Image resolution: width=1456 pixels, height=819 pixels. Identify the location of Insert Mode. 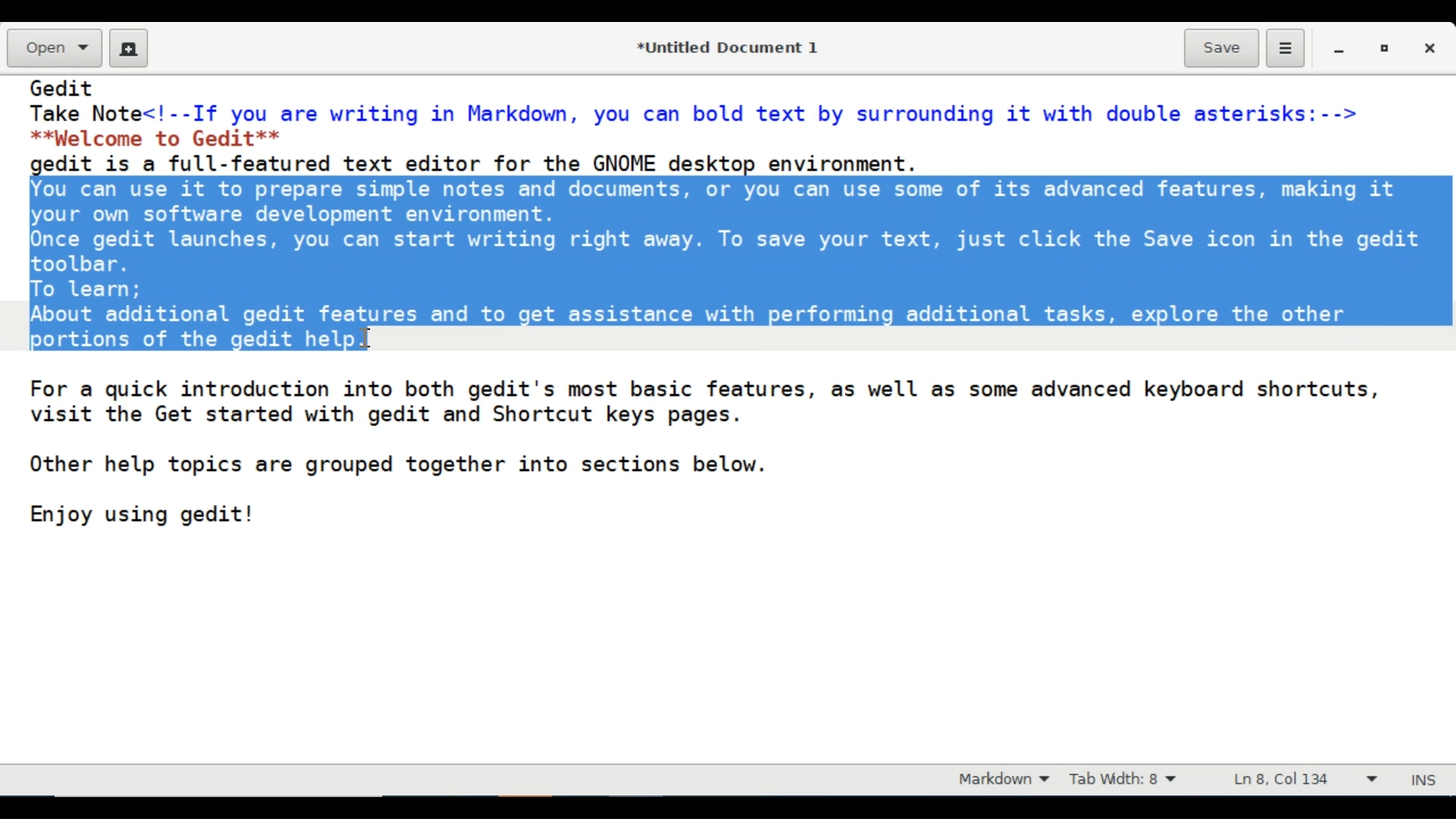
(1426, 777).